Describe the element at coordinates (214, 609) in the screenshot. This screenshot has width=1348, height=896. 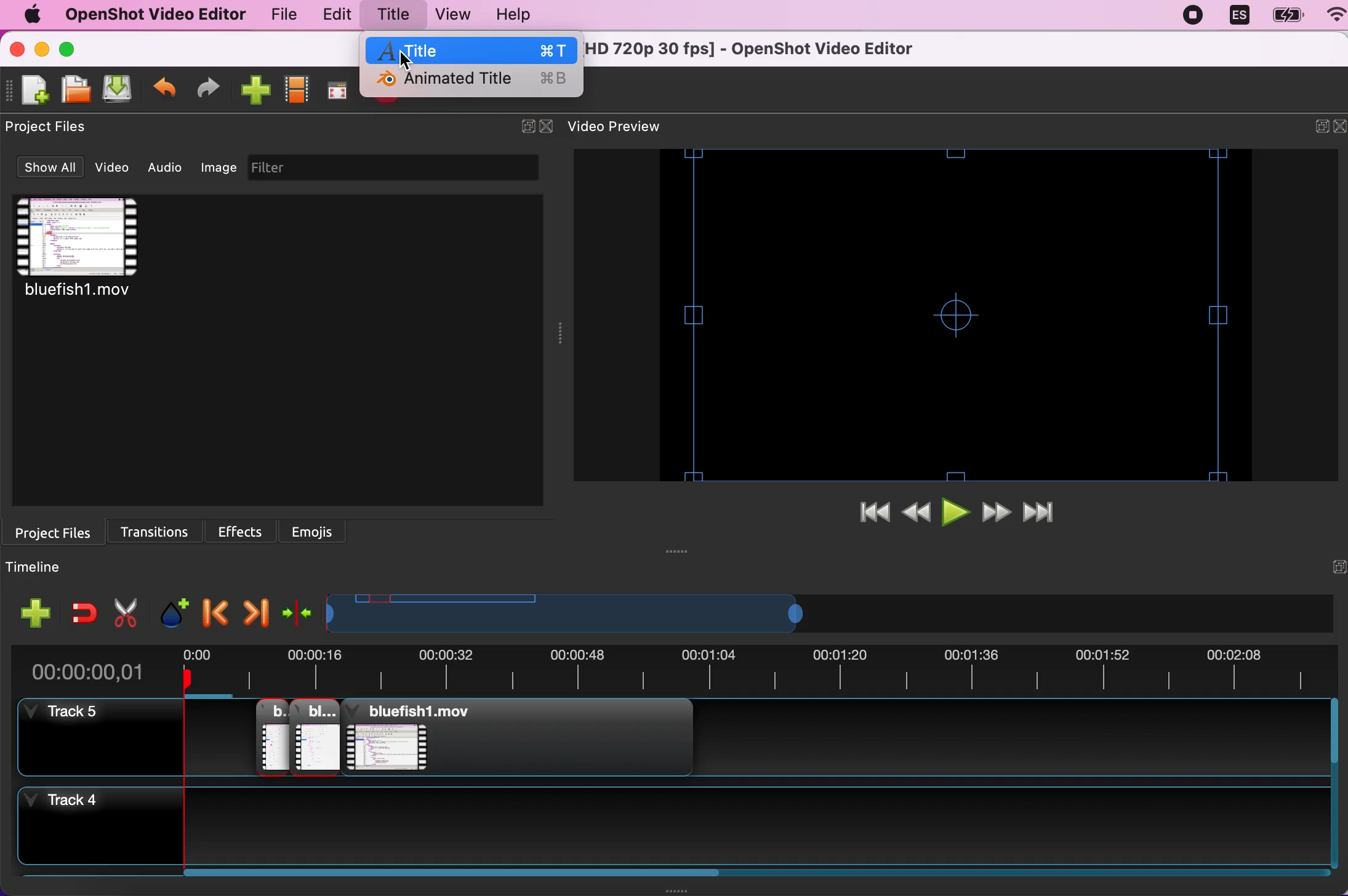
I see `previous marker` at that location.